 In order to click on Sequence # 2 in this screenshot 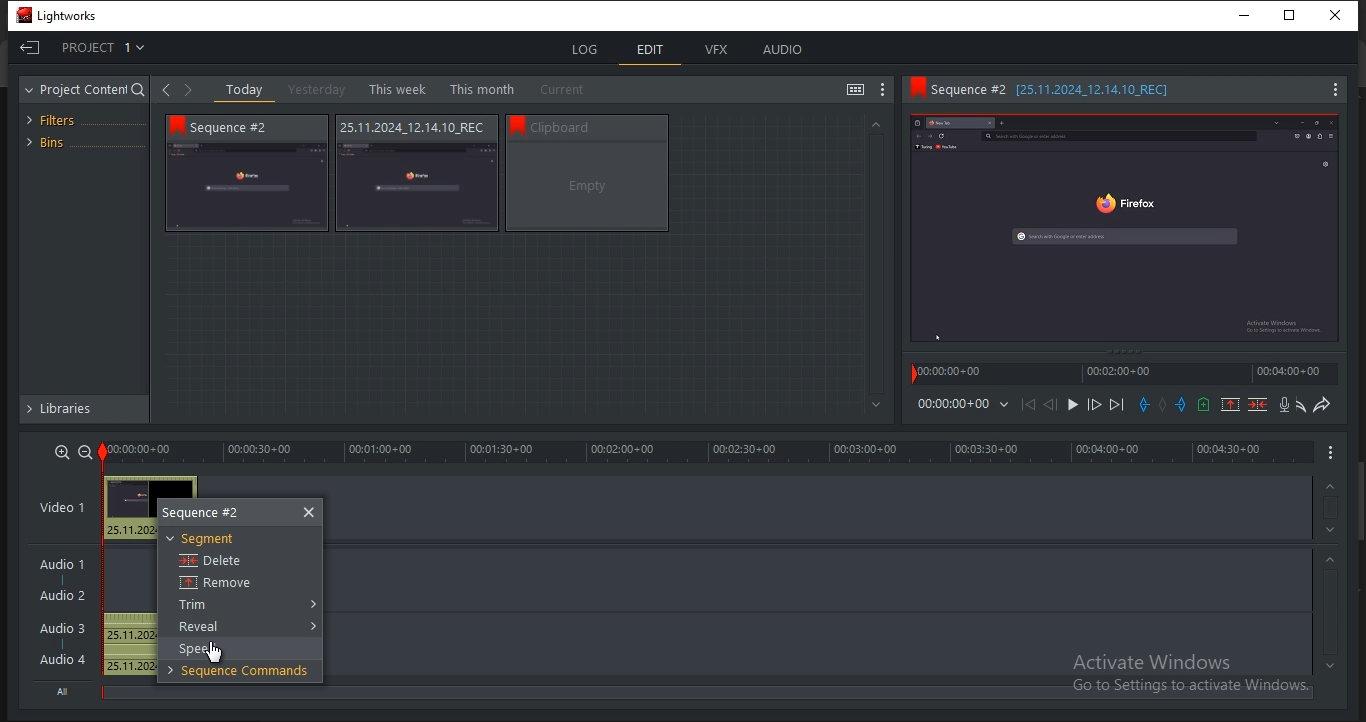, I will do `click(242, 127)`.